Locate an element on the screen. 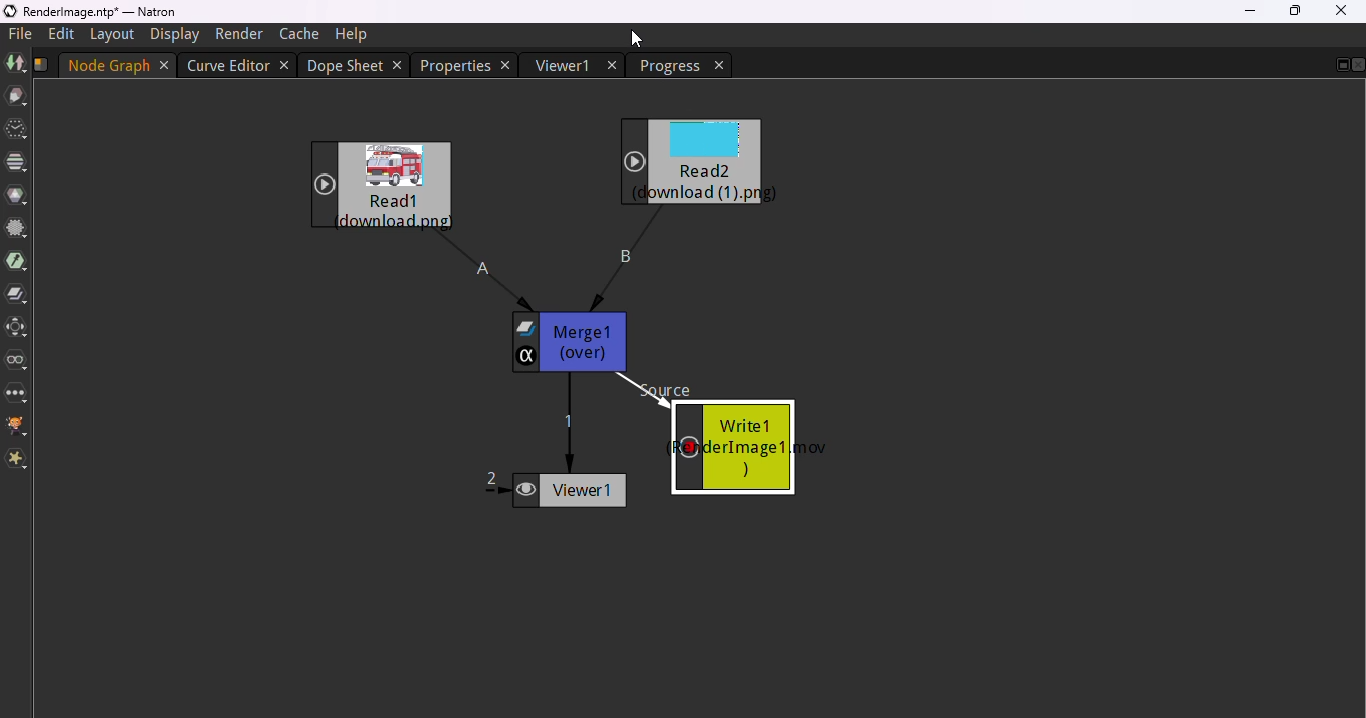 This screenshot has height=718, width=1366. source is located at coordinates (655, 393).